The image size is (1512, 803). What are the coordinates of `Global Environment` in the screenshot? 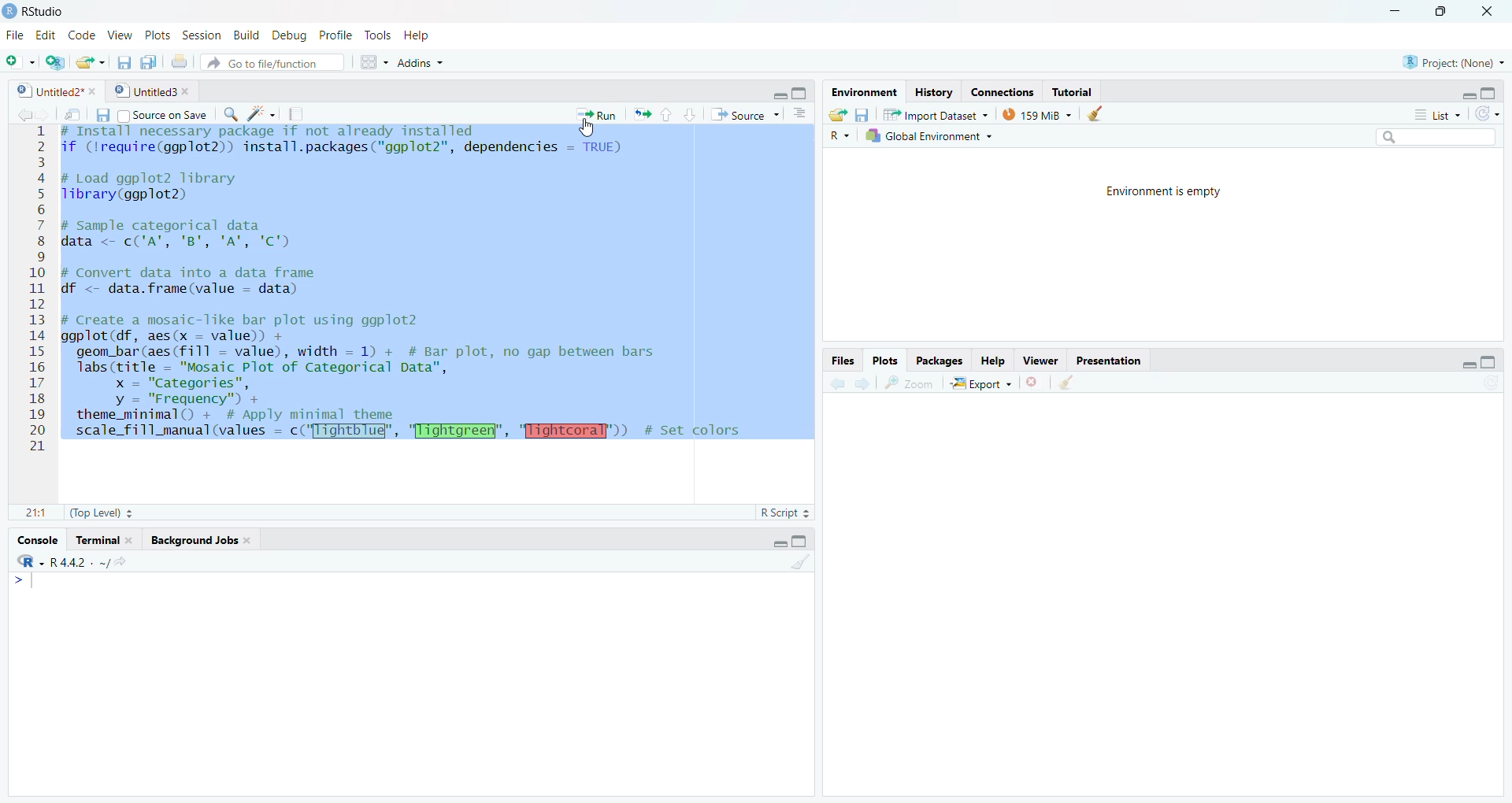 It's located at (928, 135).